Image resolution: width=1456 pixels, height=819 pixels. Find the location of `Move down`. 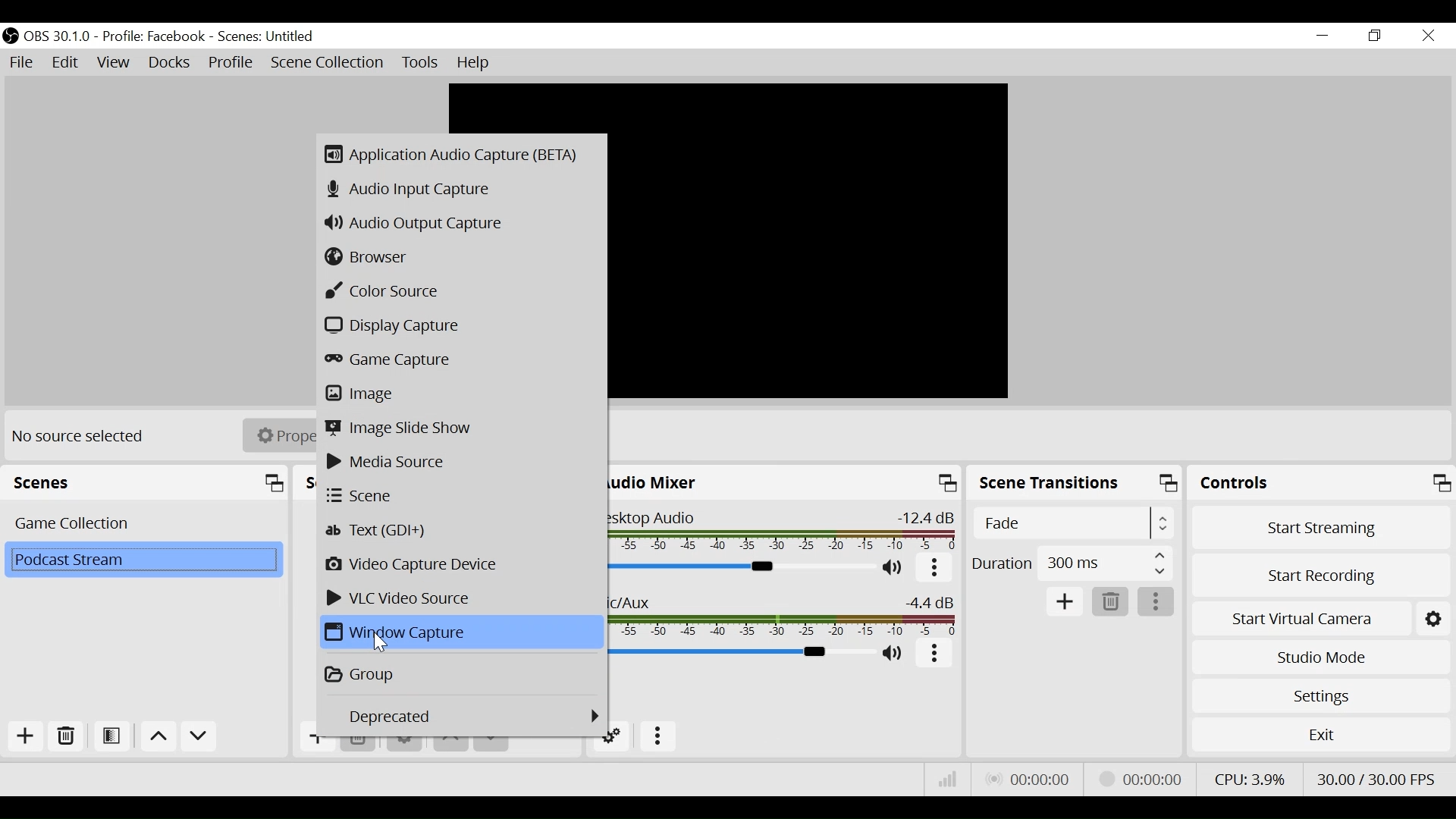

Move down is located at coordinates (197, 739).